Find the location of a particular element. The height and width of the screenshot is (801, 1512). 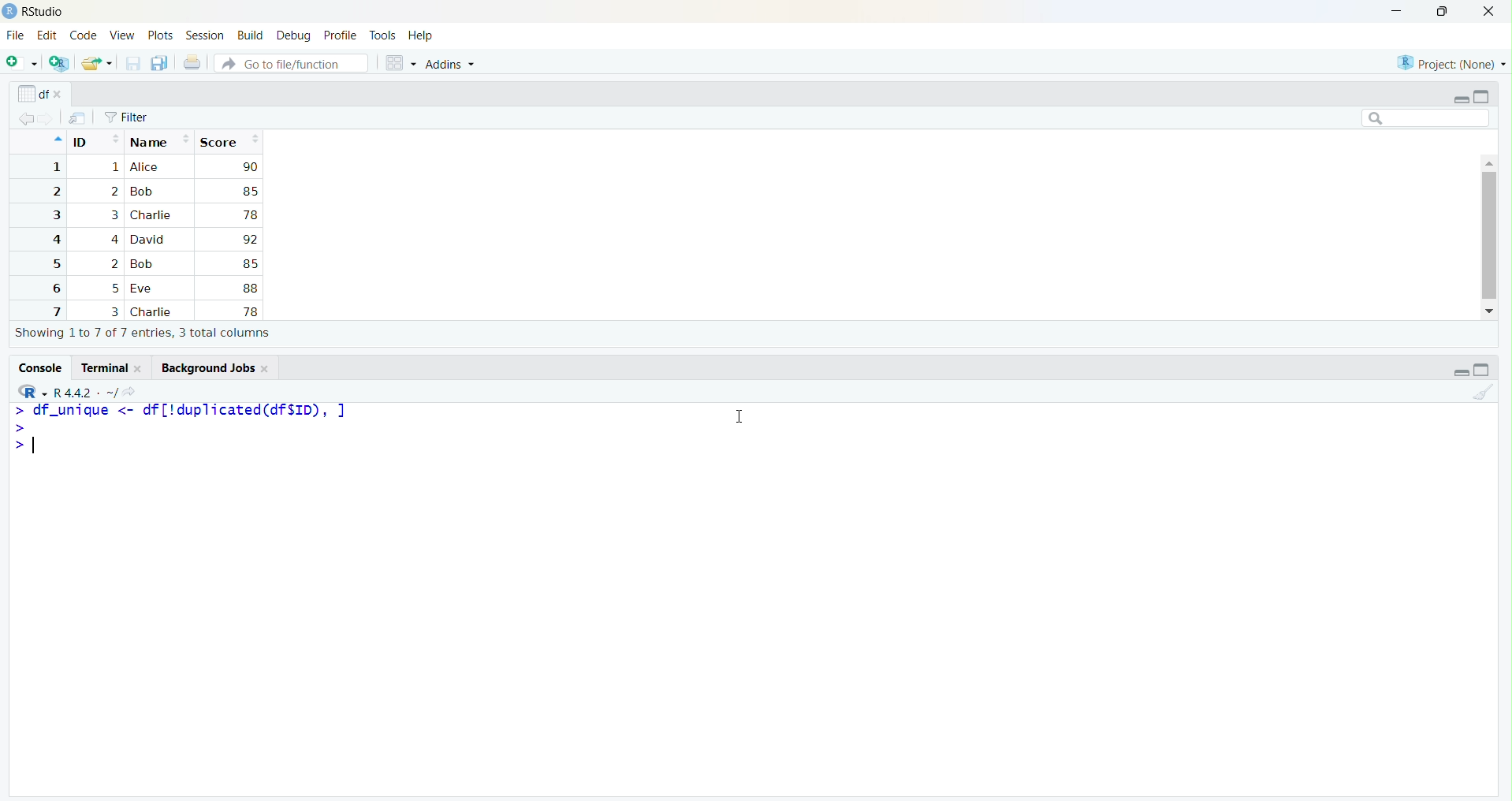

2 is located at coordinates (54, 192).